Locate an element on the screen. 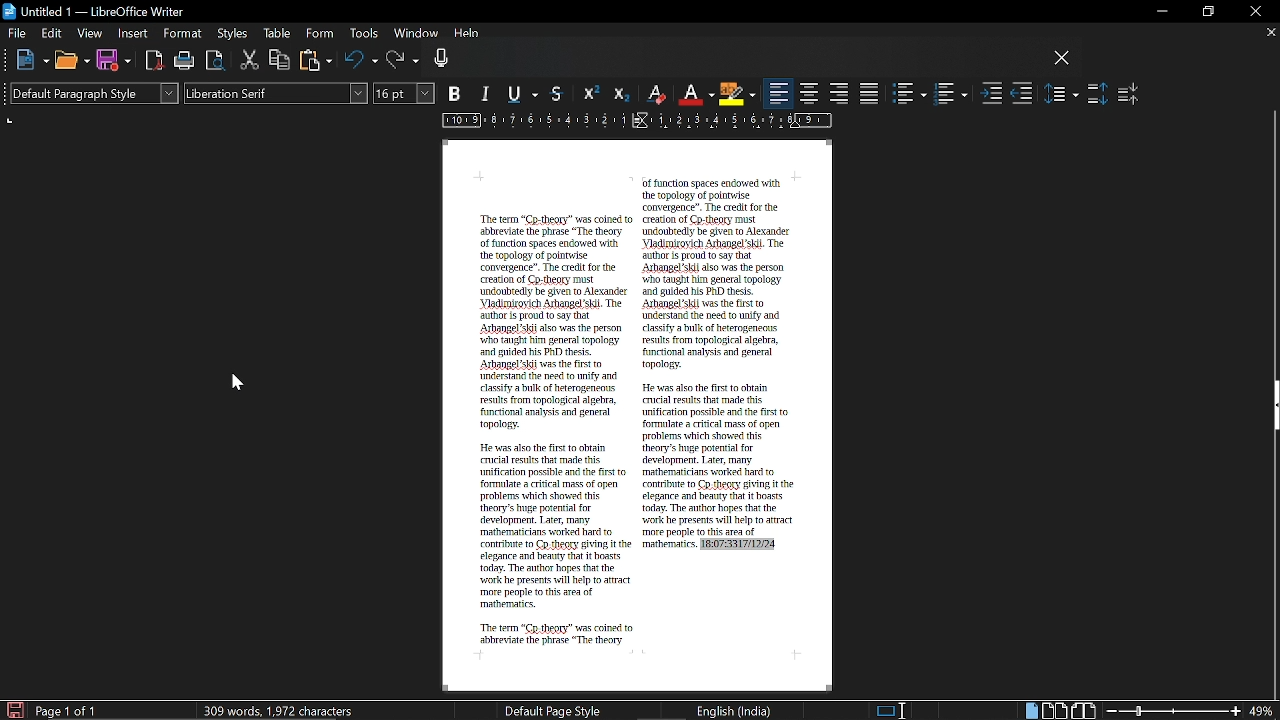  View is located at coordinates (90, 32).